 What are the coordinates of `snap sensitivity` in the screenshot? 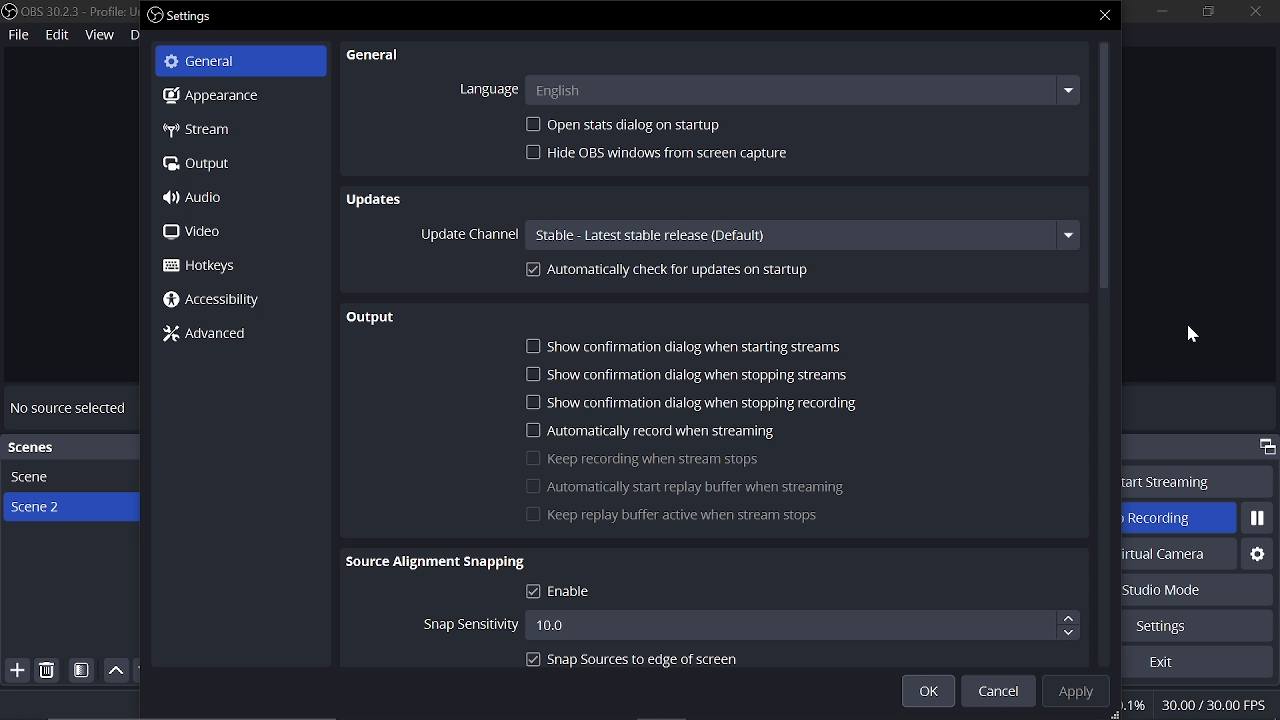 It's located at (471, 624).